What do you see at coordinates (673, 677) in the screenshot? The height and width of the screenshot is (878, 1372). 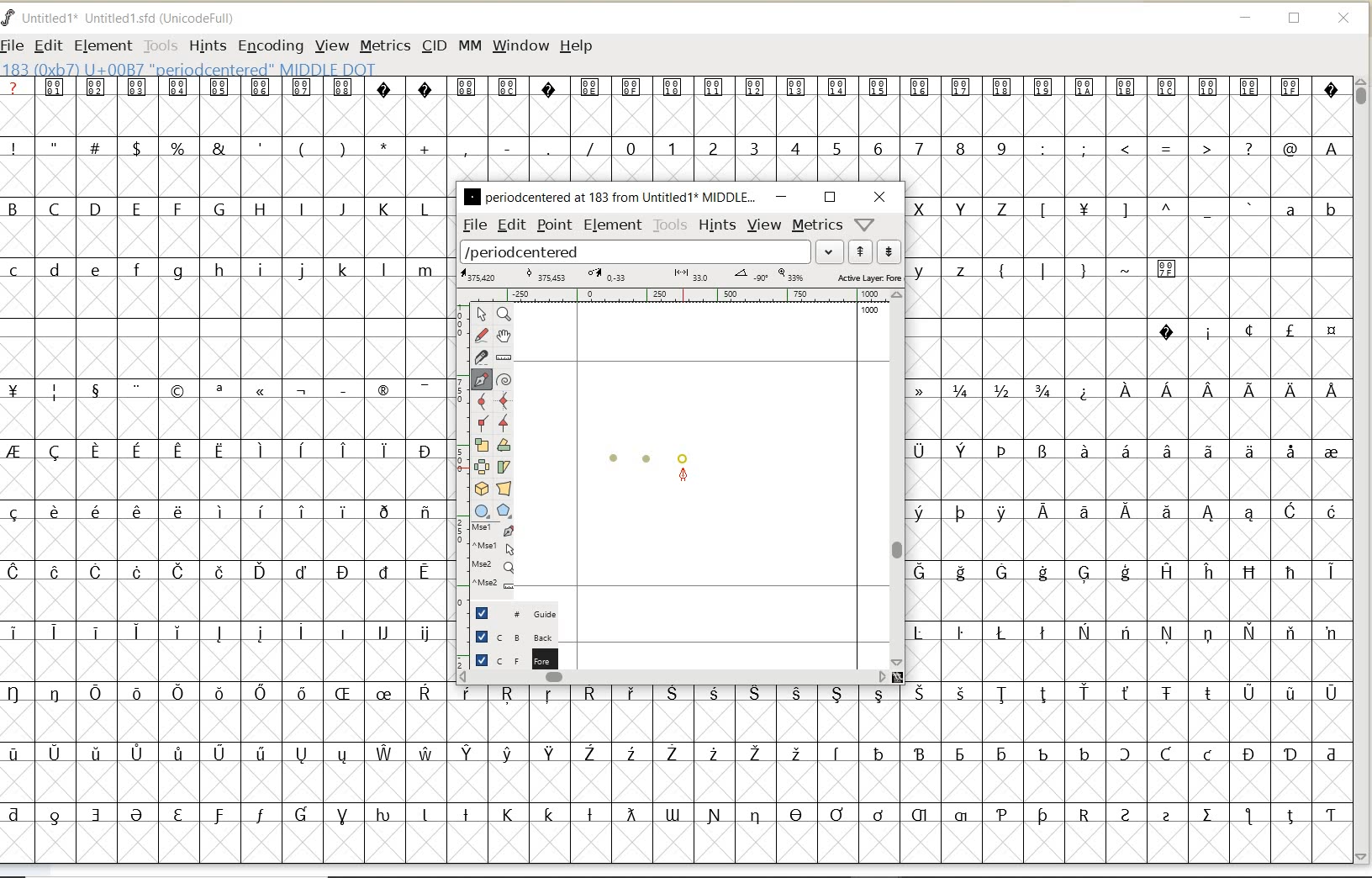 I see `scrollbar` at bounding box center [673, 677].